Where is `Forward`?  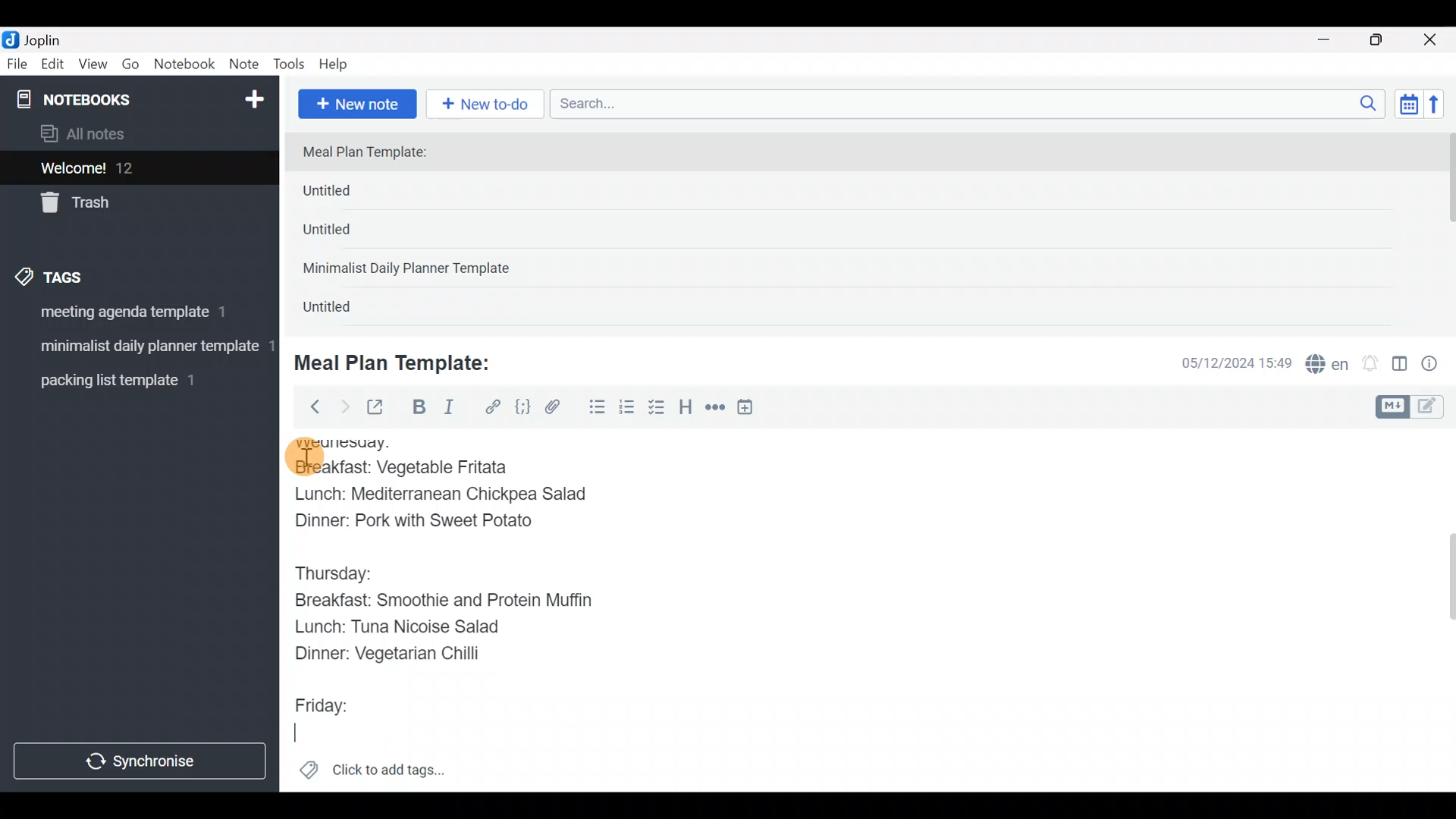 Forward is located at coordinates (344, 406).